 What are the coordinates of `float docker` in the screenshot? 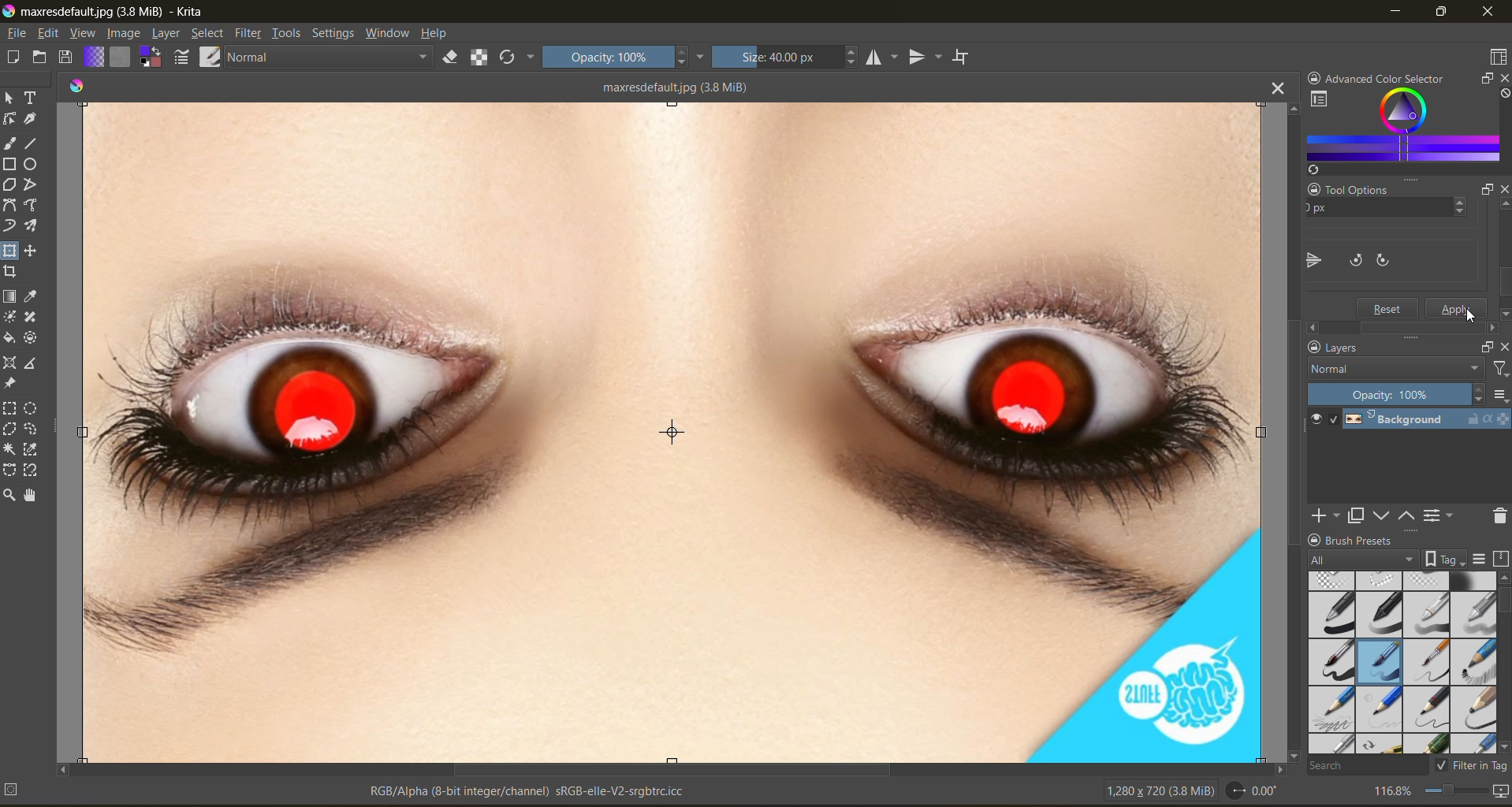 It's located at (1482, 80).